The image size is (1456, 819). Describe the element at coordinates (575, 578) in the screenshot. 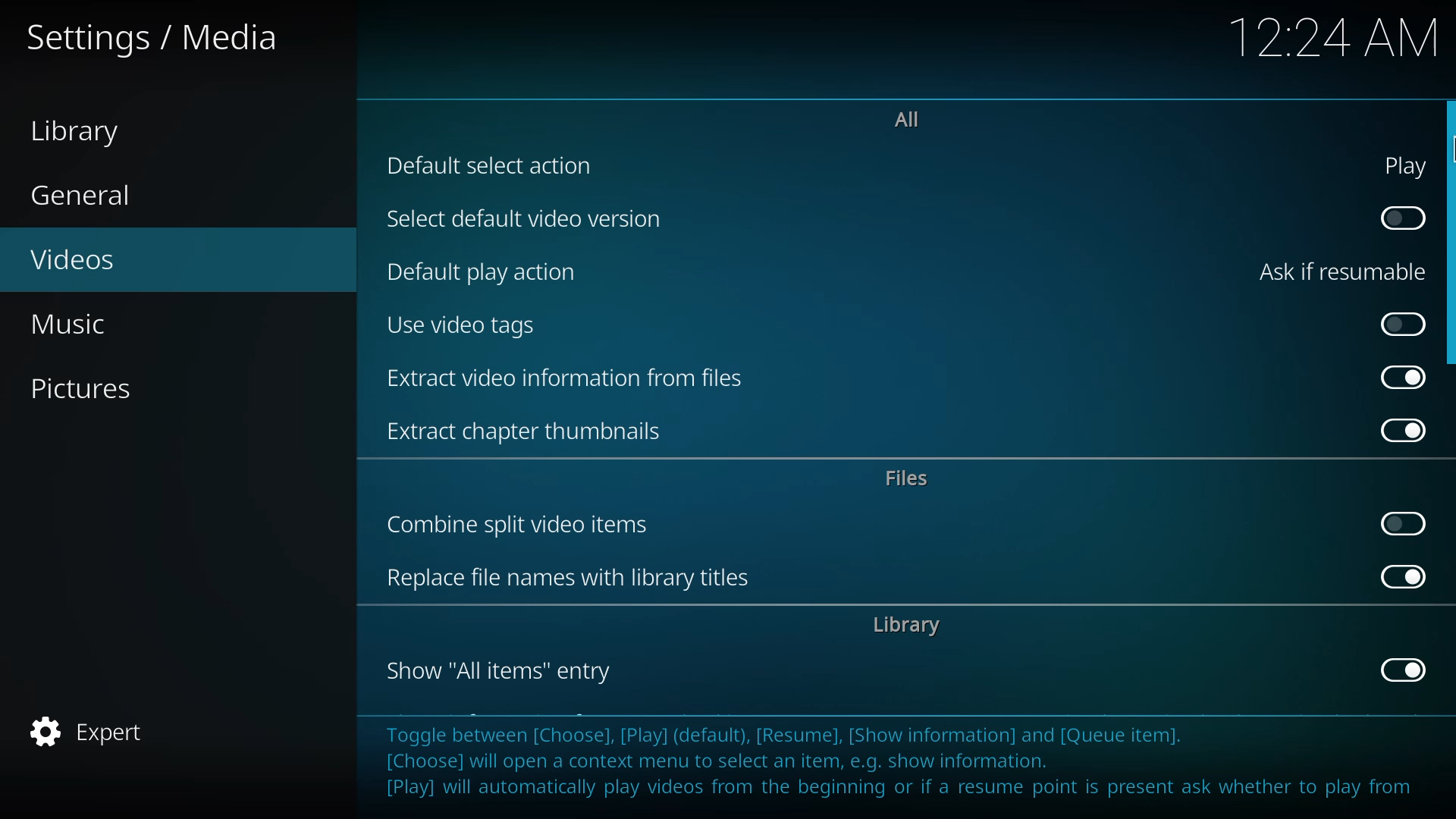

I see `replace file names` at that location.